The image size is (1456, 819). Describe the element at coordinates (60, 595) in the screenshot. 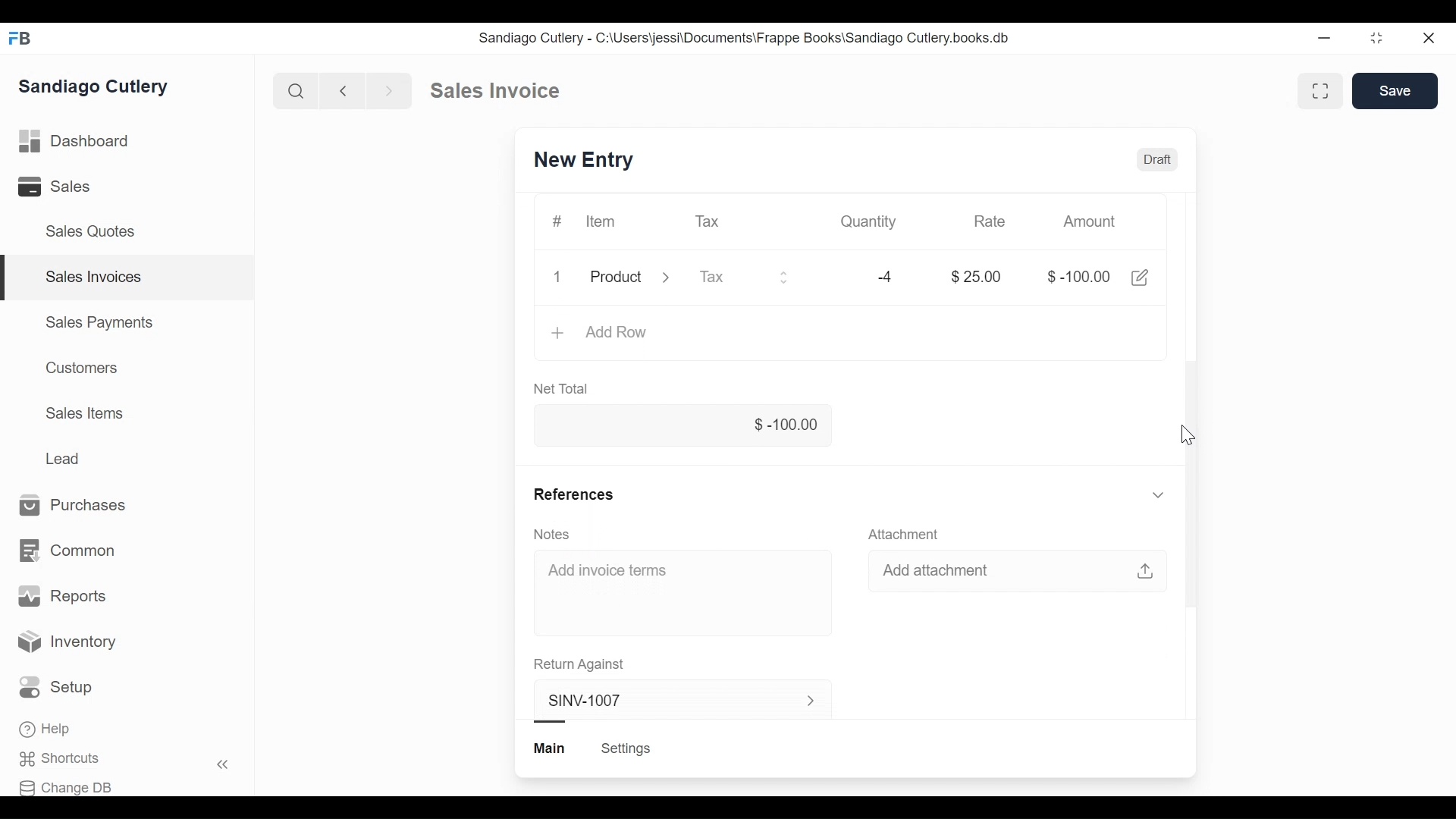

I see `Reports` at that location.